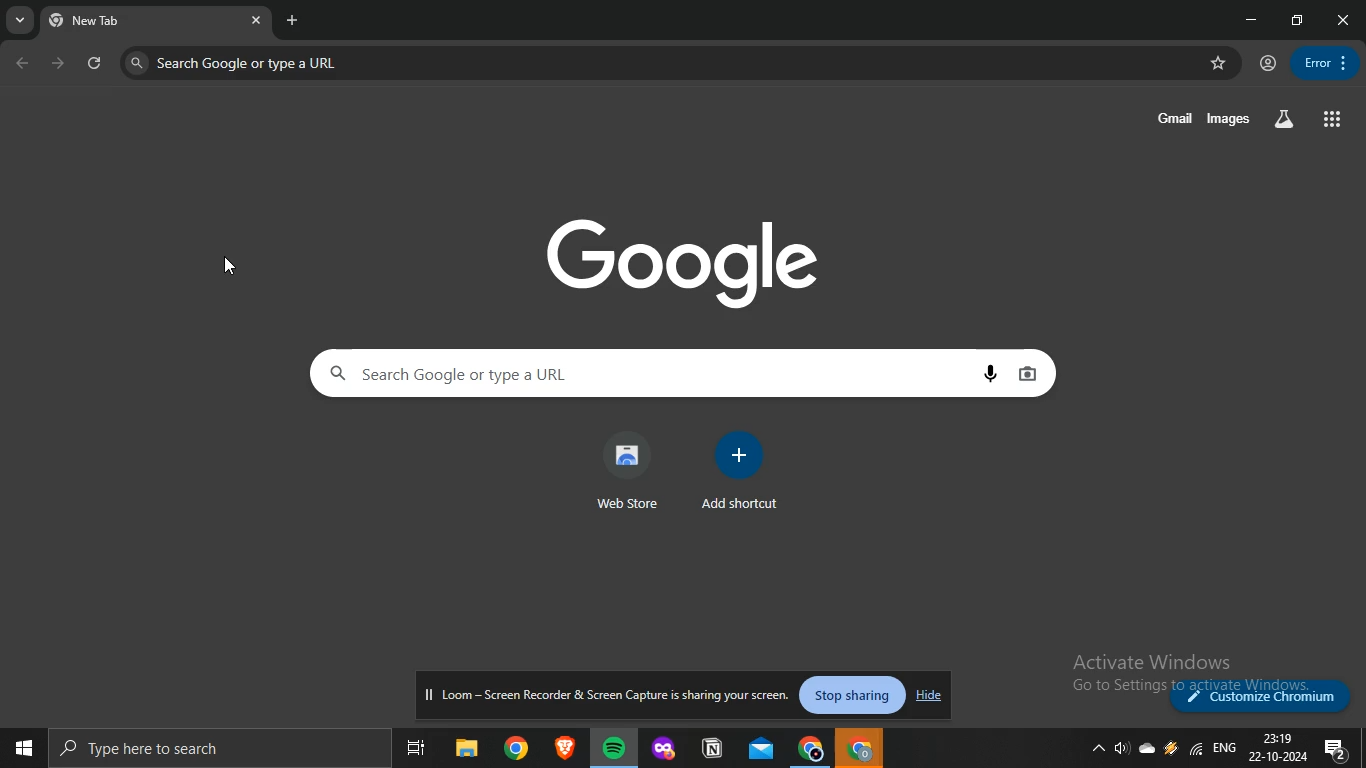 The width and height of the screenshot is (1366, 768). Describe the element at coordinates (665, 748) in the screenshot. I see `mozilla firefox` at that location.